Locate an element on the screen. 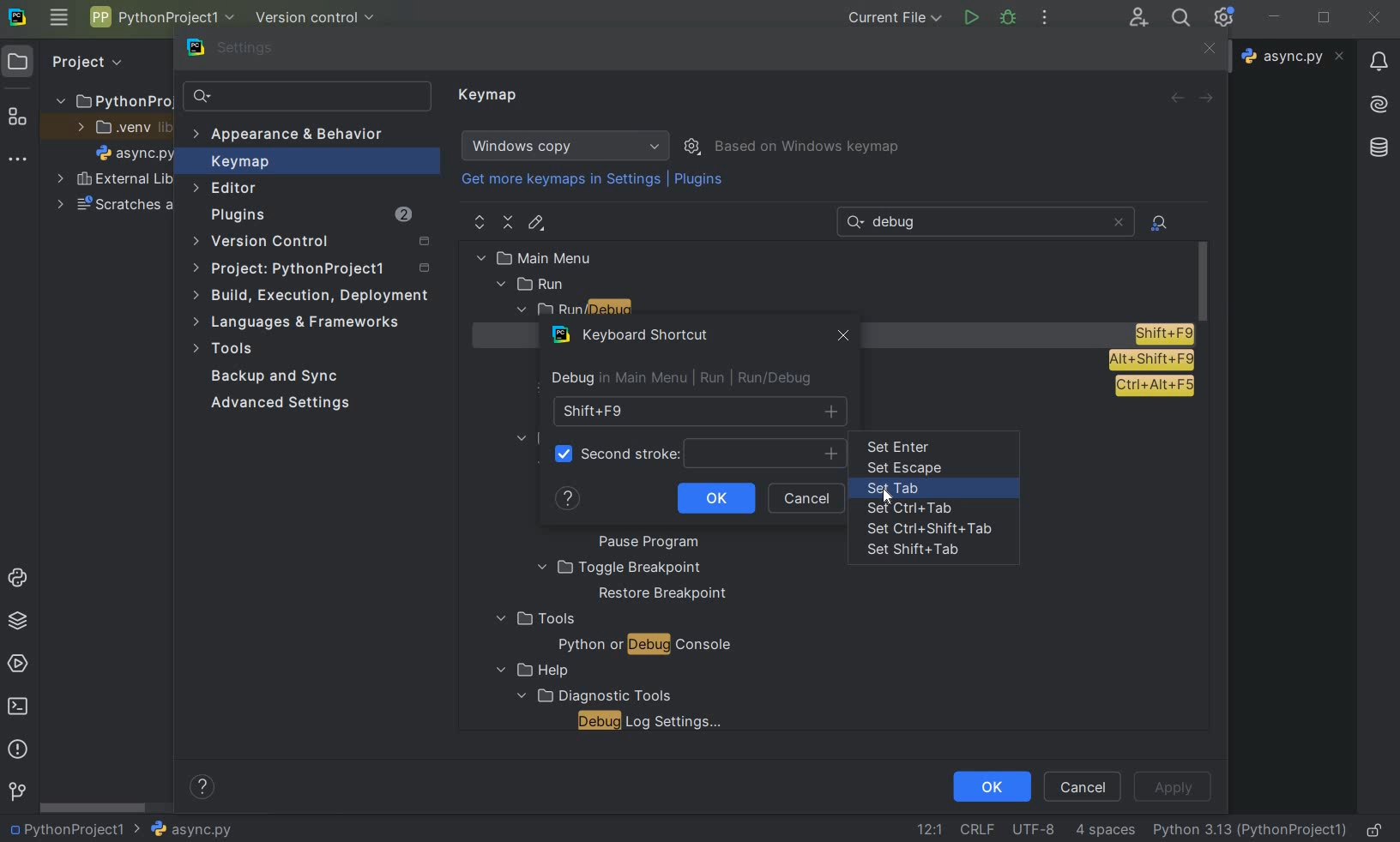  search everywhere is located at coordinates (1178, 20).